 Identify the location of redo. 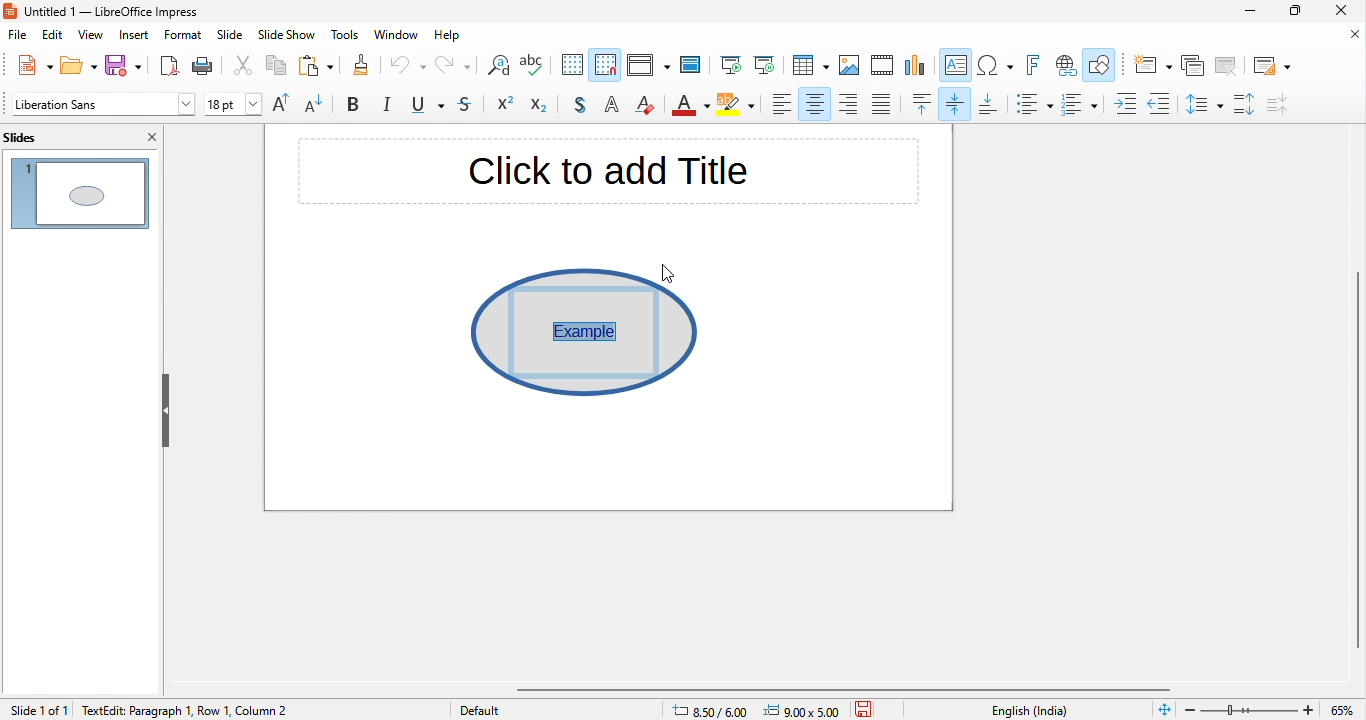
(452, 68).